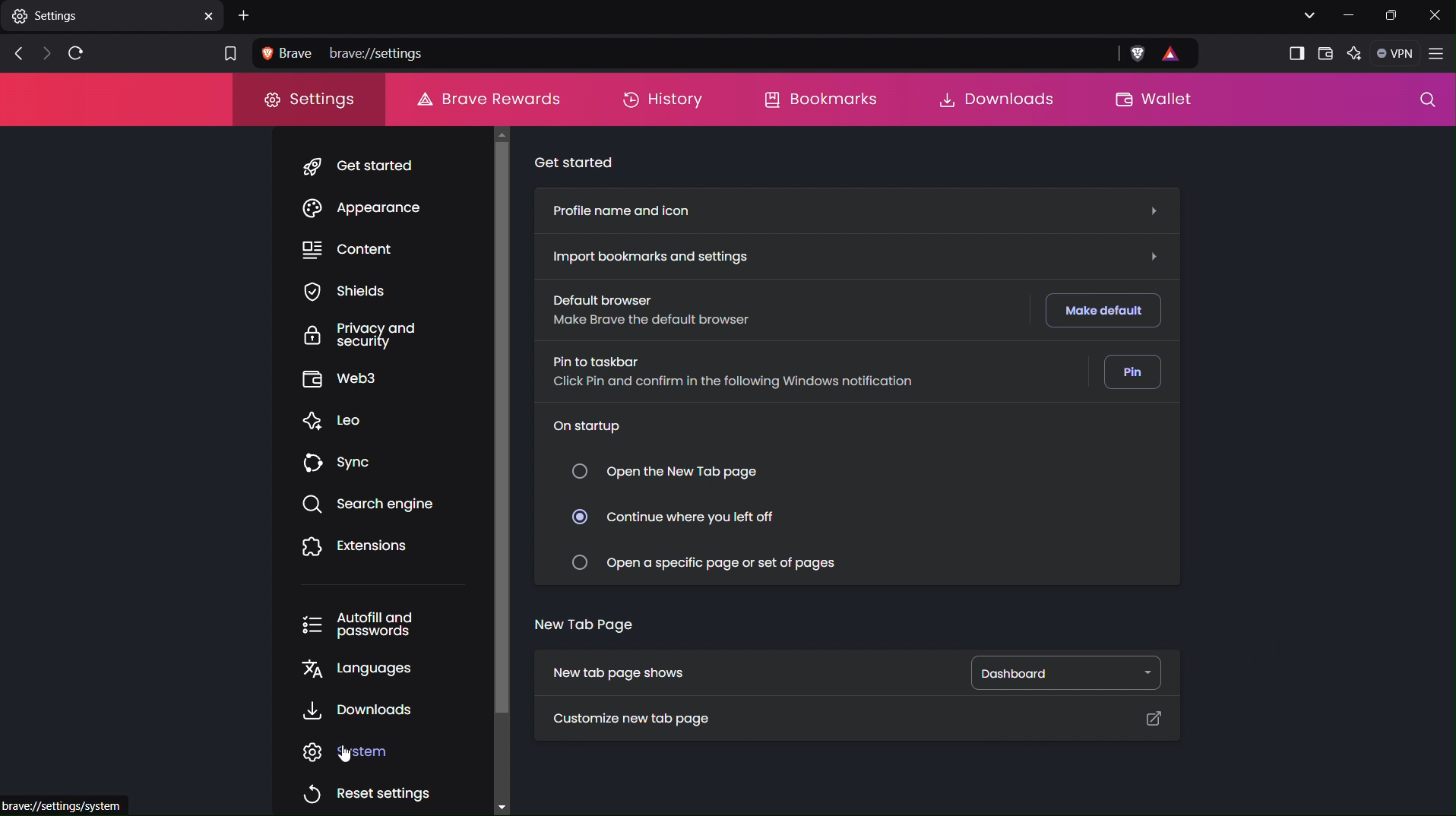 Image resolution: width=1456 pixels, height=816 pixels. Describe the element at coordinates (356, 291) in the screenshot. I see `Shields` at that location.